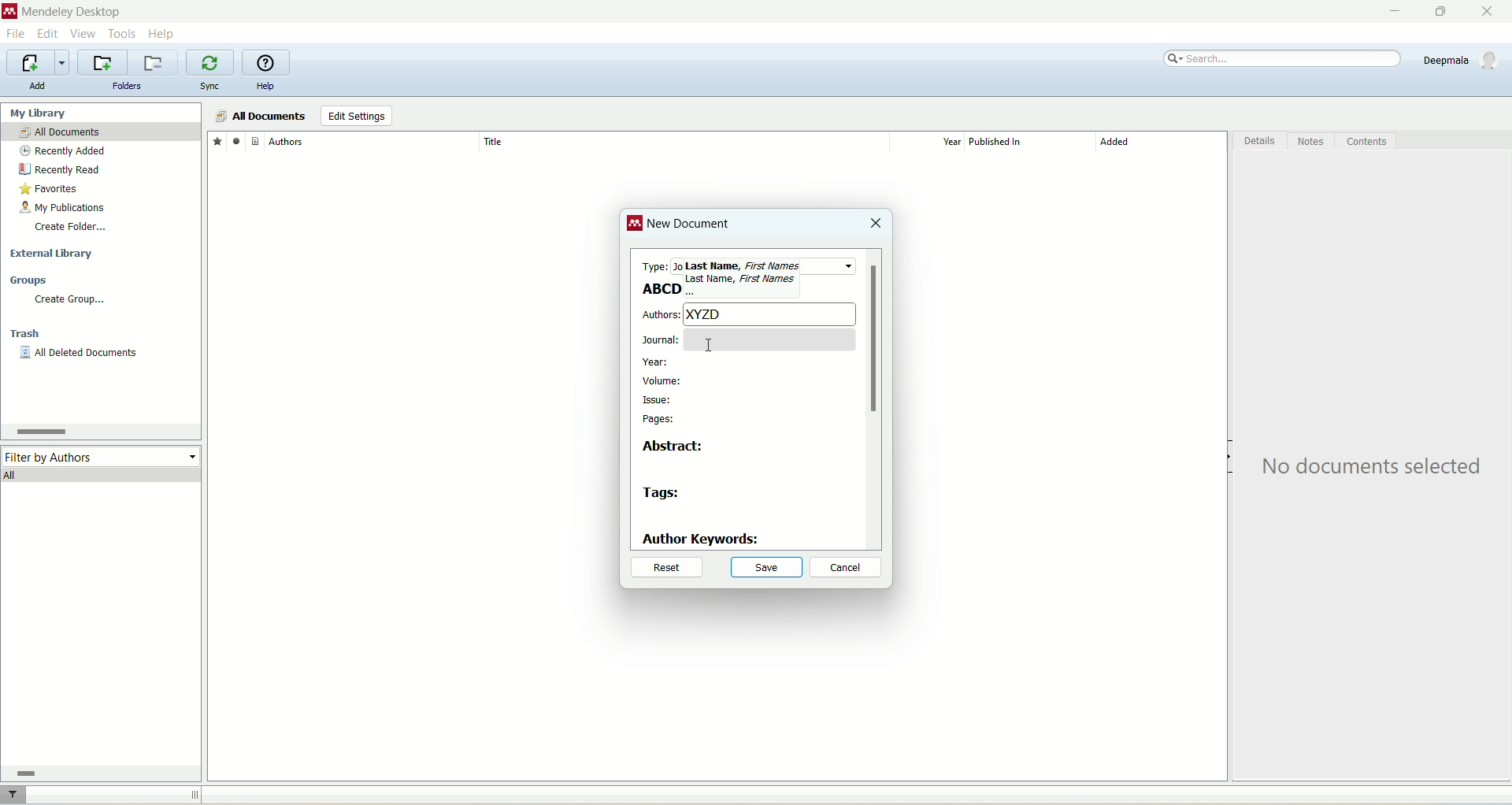 Image resolution: width=1512 pixels, height=805 pixels. Describe the element at coordinates (702, 540) in the screenshot. I see `author keywords` at that location.